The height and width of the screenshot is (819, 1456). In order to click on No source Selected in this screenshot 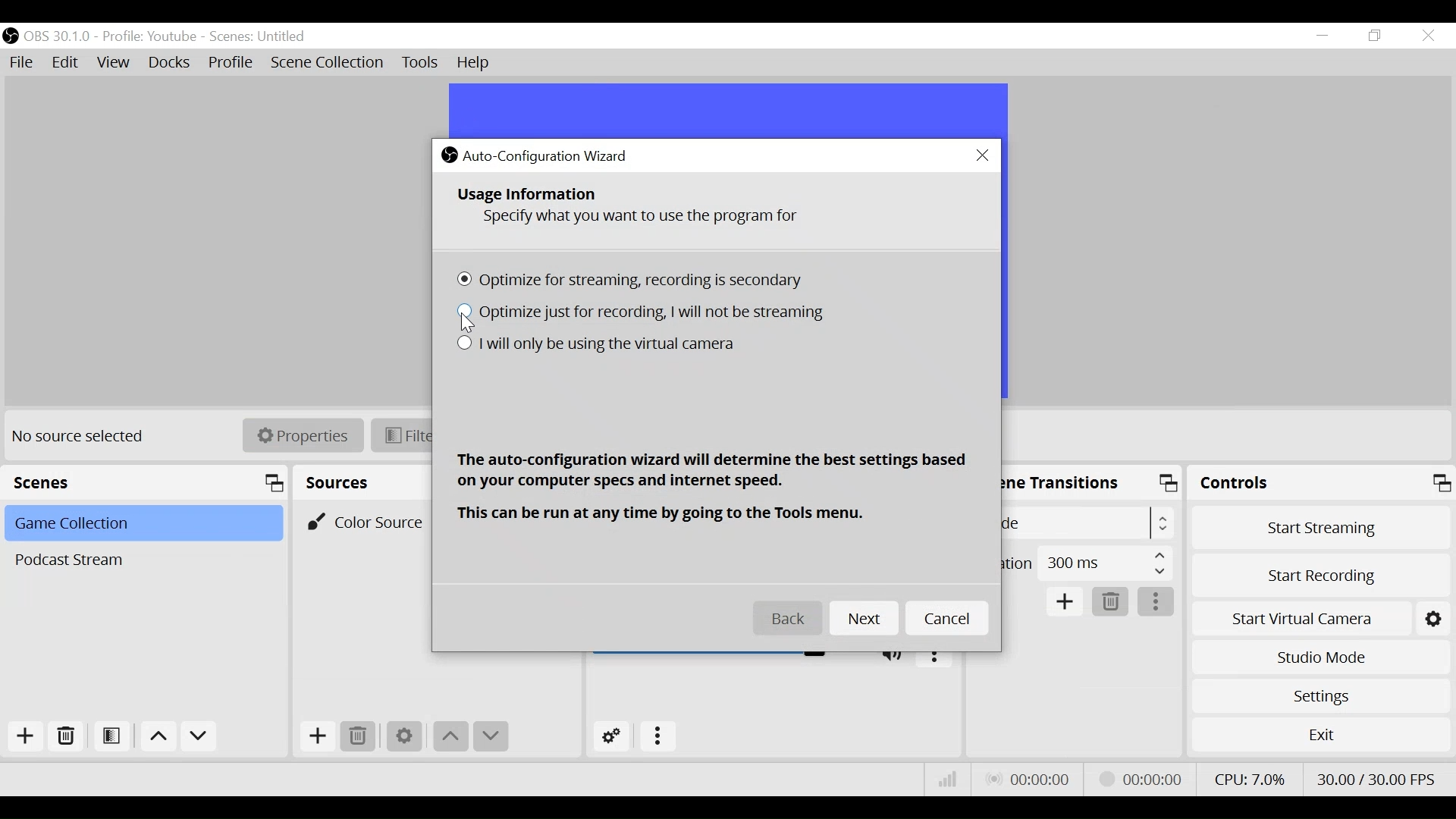, I will do `click(83, 438)`.